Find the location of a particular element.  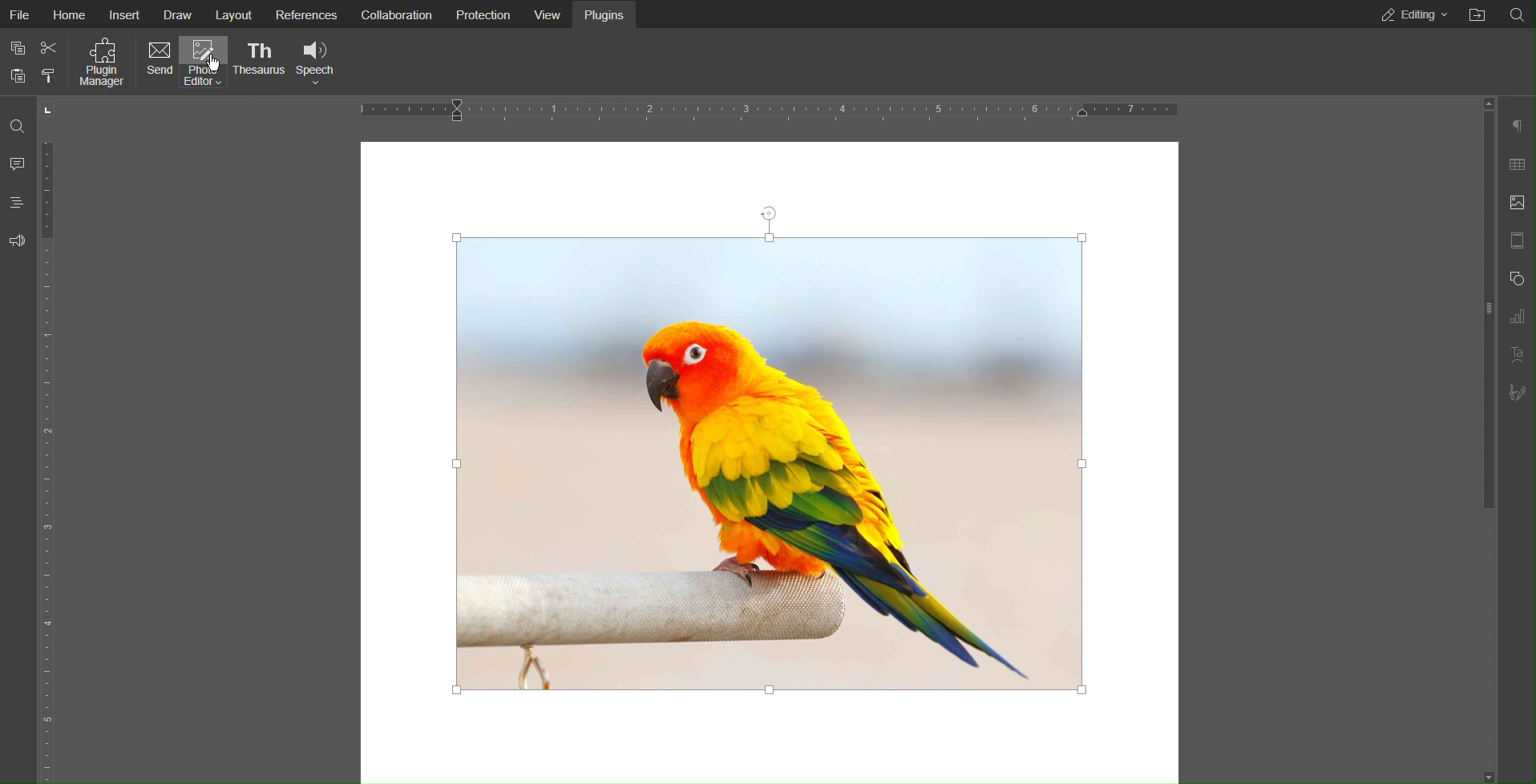

File is located at coordinates (22, 13).